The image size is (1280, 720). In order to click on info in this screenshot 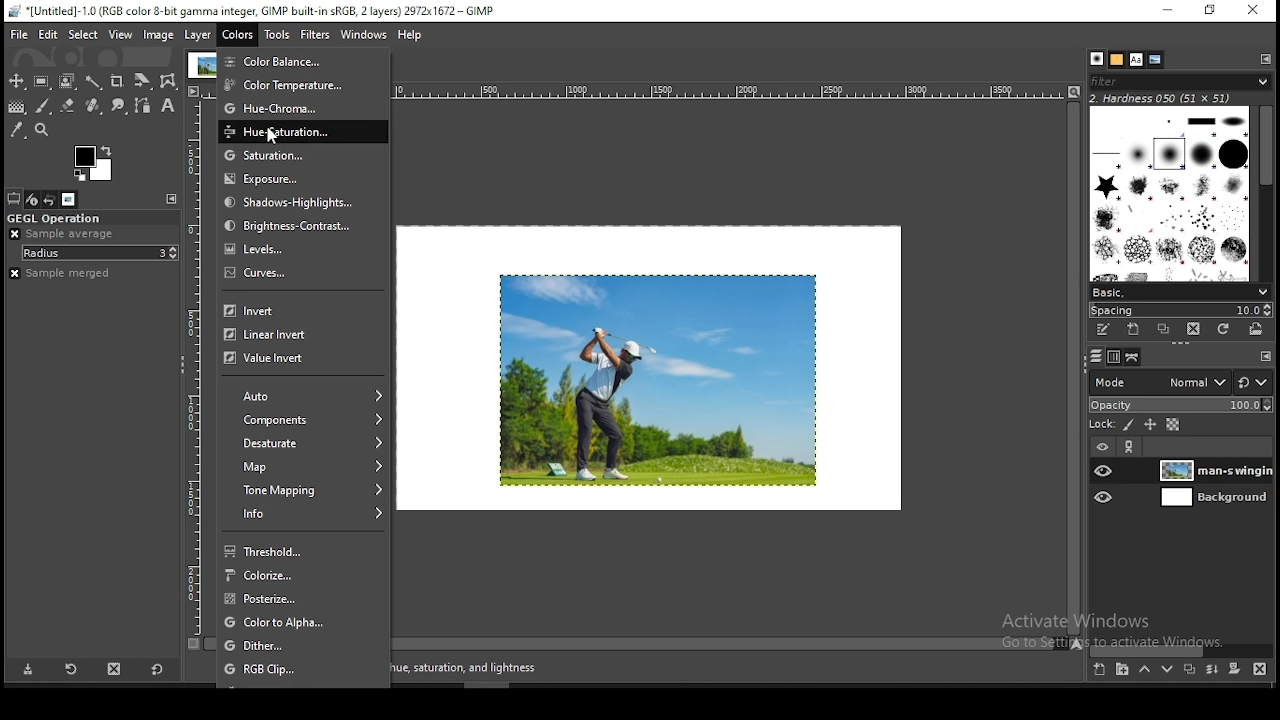, I will do `click(305, 514)`.